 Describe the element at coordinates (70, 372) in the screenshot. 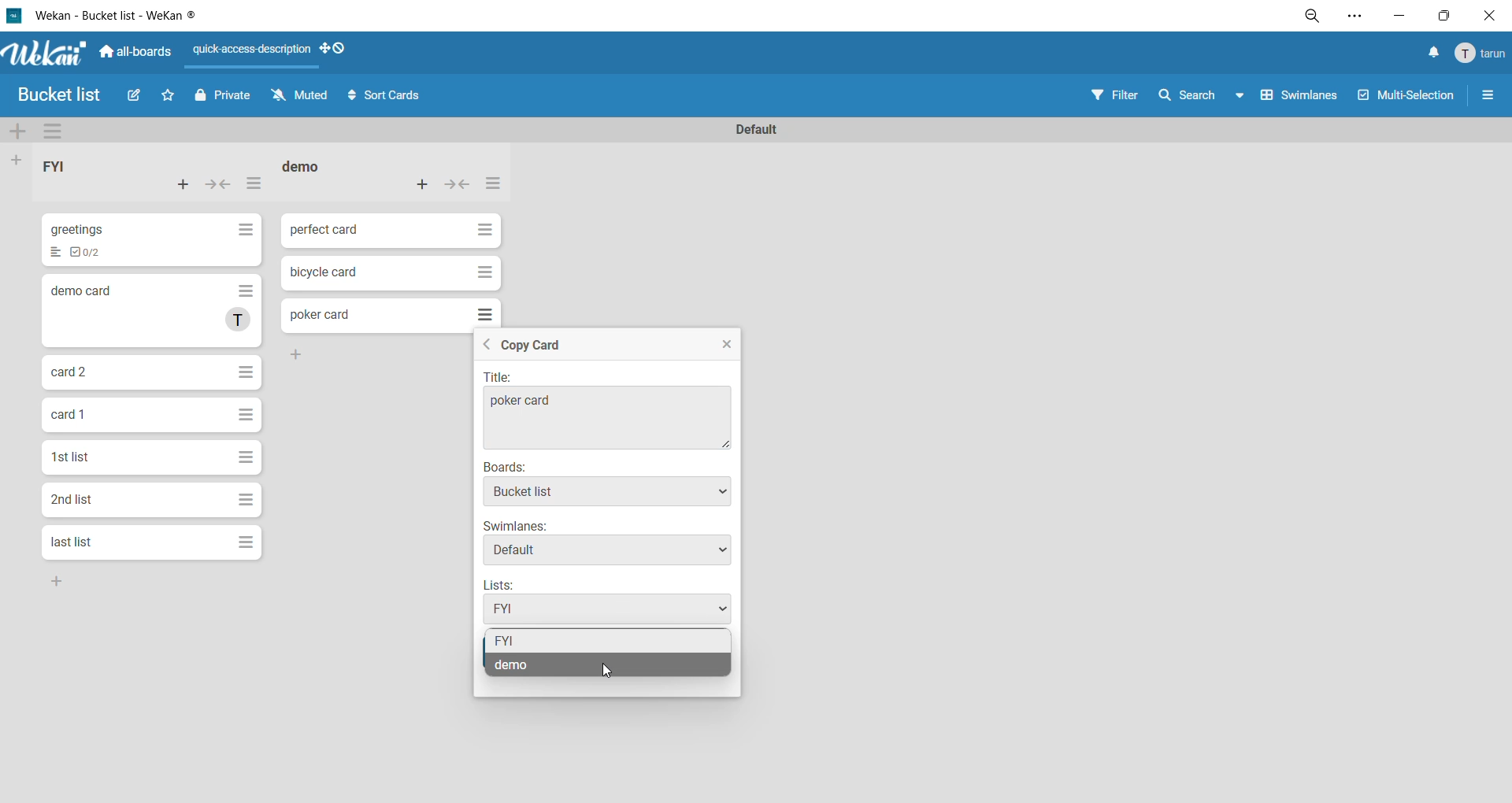

I see `card 2` at that location.